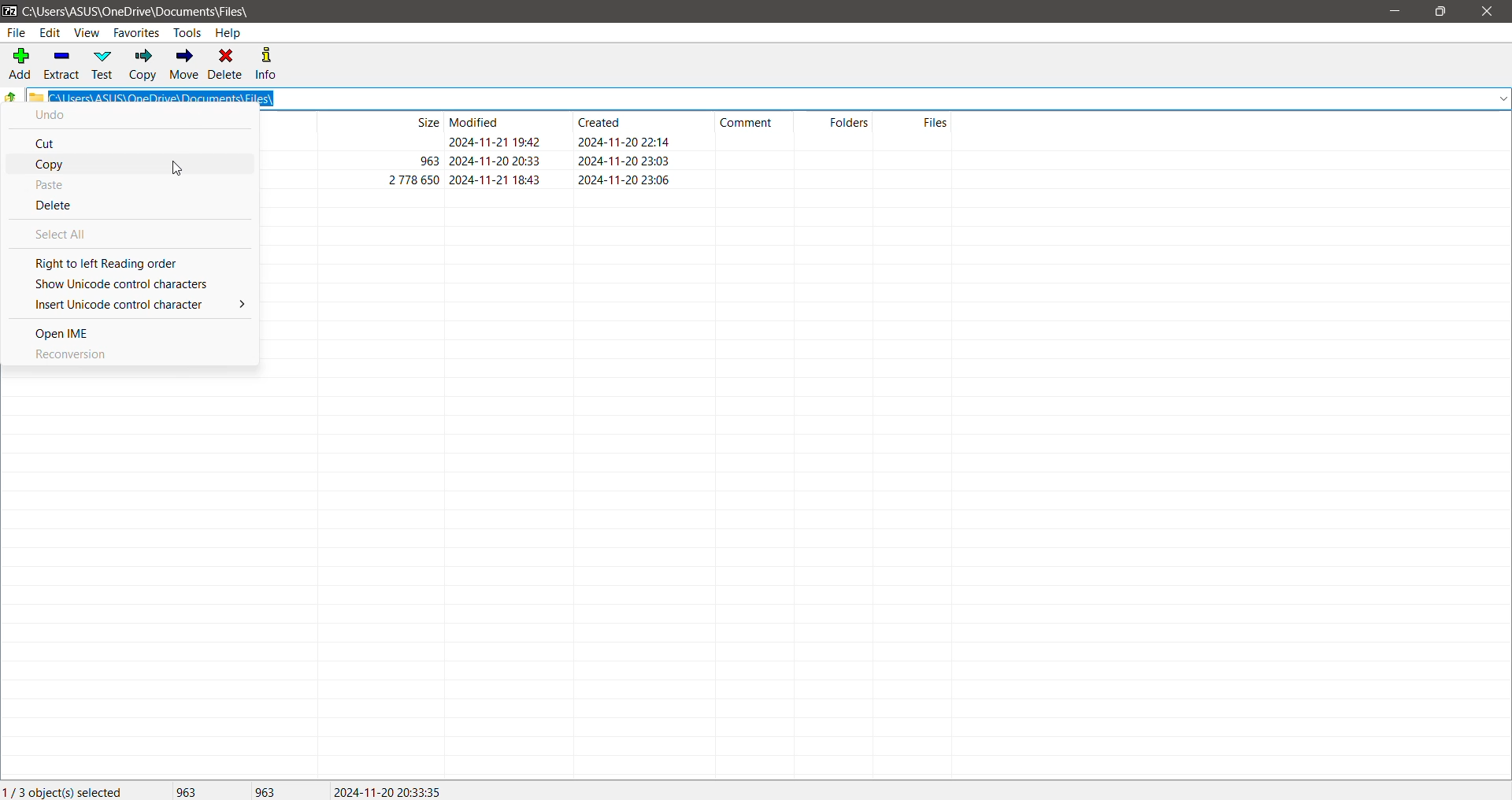  I want to click on Add, so click(18, 64).